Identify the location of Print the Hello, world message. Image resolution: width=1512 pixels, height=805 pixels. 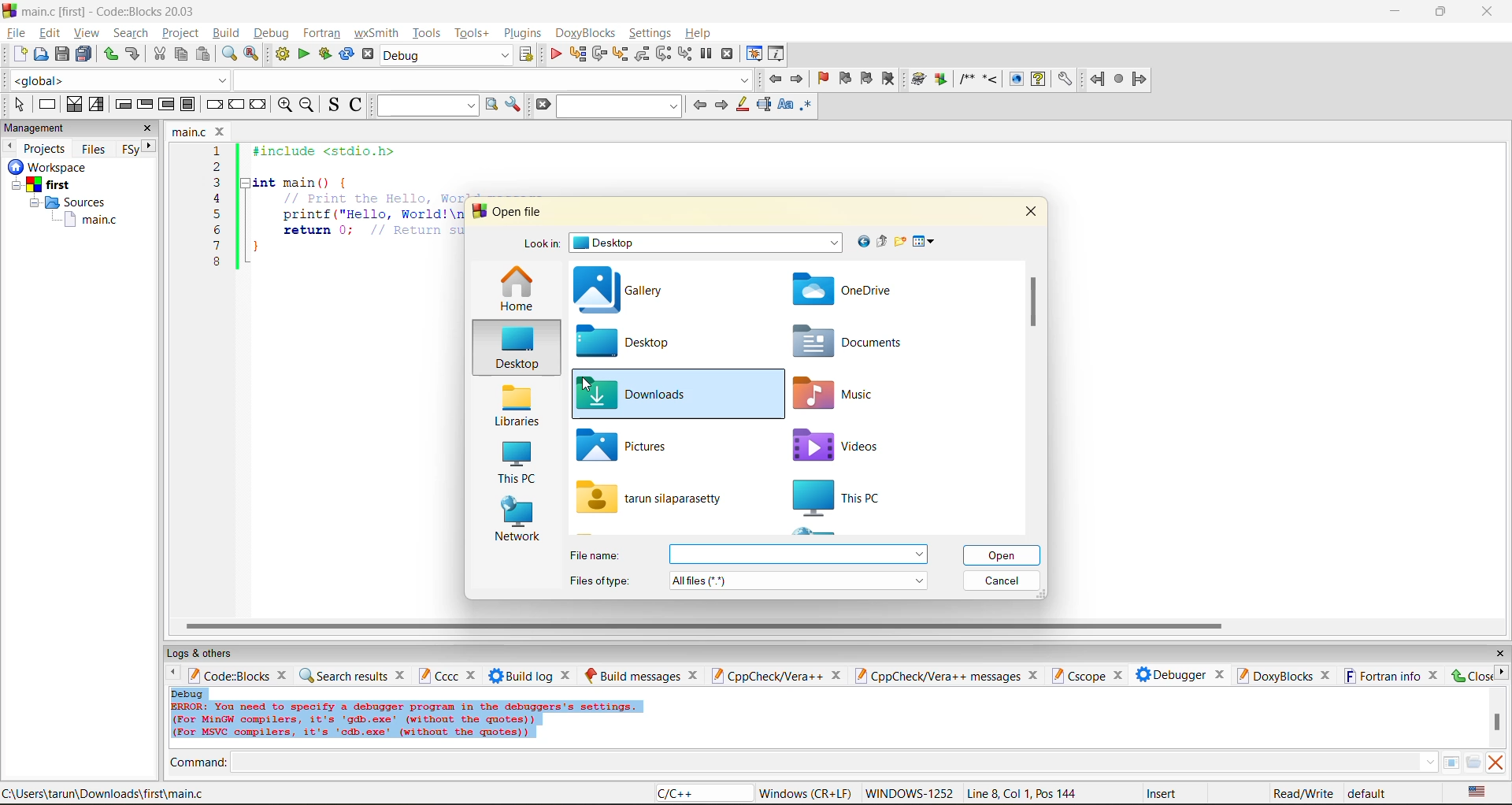
(373, 198).